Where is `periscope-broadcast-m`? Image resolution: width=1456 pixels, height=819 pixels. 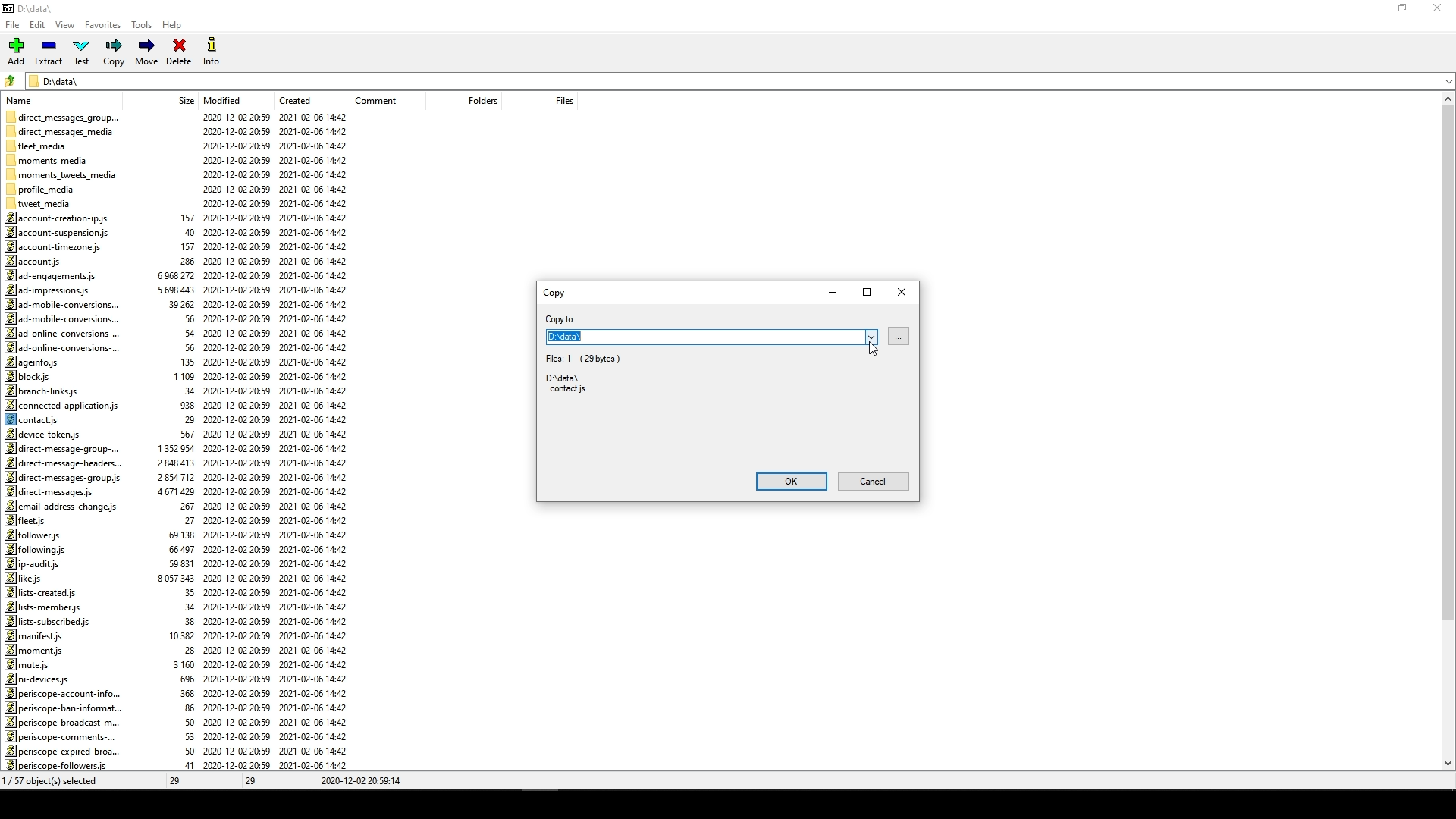
periscope-broadcast-m is located at coordinates (60, 723).